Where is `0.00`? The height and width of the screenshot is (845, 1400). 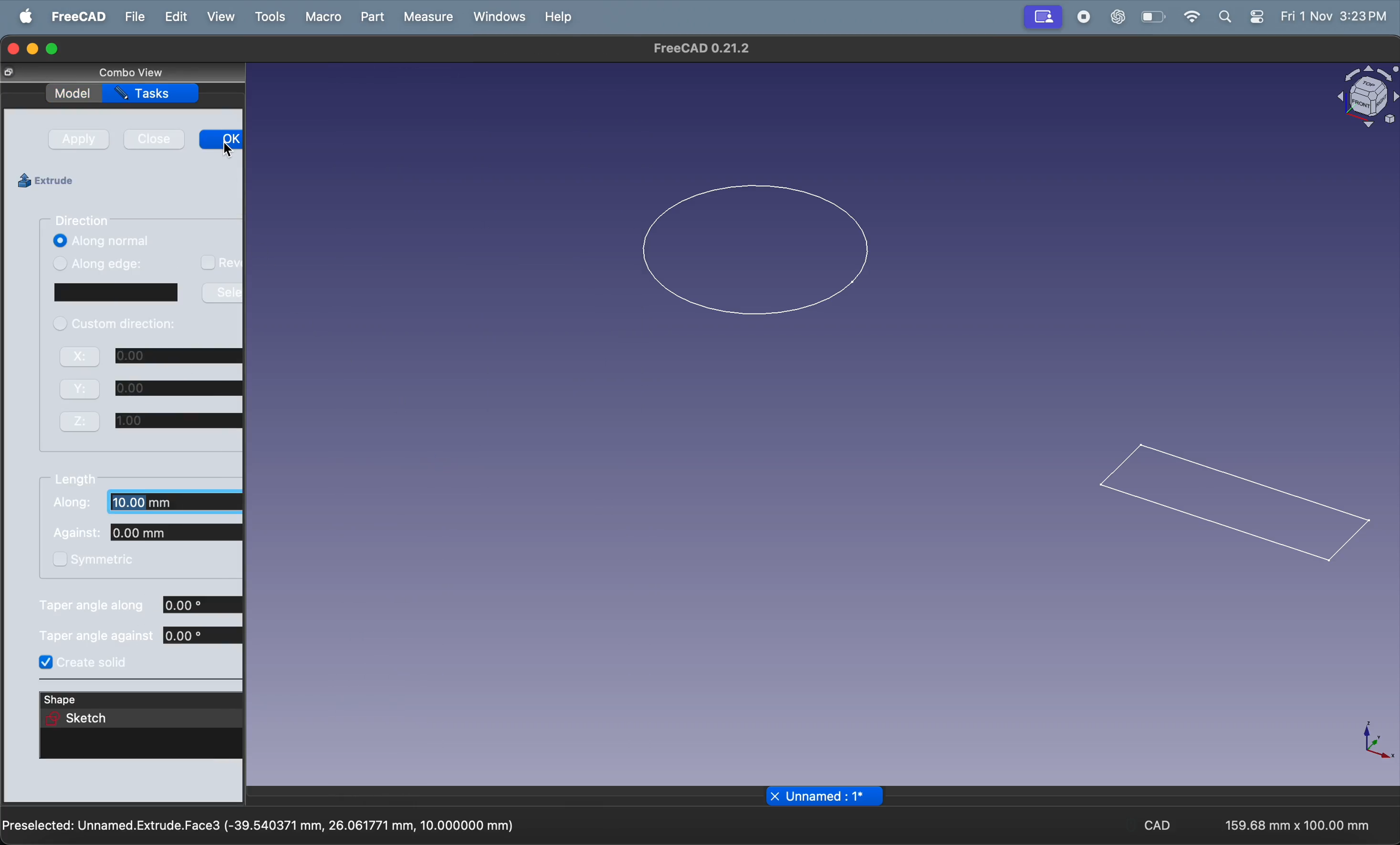
0.00 is located at coordinates (180, 356).